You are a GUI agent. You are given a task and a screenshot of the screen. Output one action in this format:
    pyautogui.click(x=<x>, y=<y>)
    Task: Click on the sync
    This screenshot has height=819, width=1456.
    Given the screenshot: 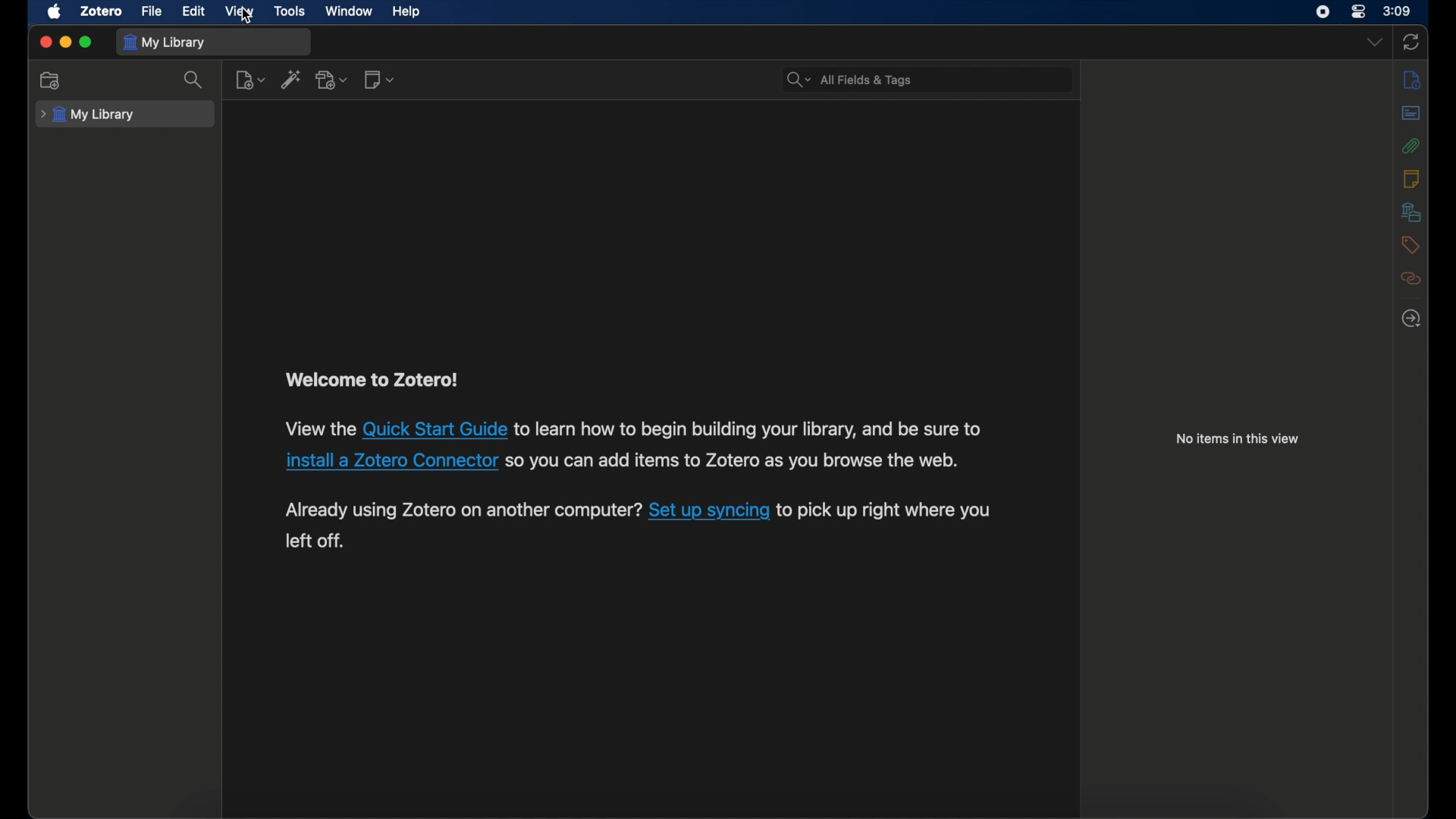 What is the action you would take?
    pyautogui.click(x=1412, y=42)
    